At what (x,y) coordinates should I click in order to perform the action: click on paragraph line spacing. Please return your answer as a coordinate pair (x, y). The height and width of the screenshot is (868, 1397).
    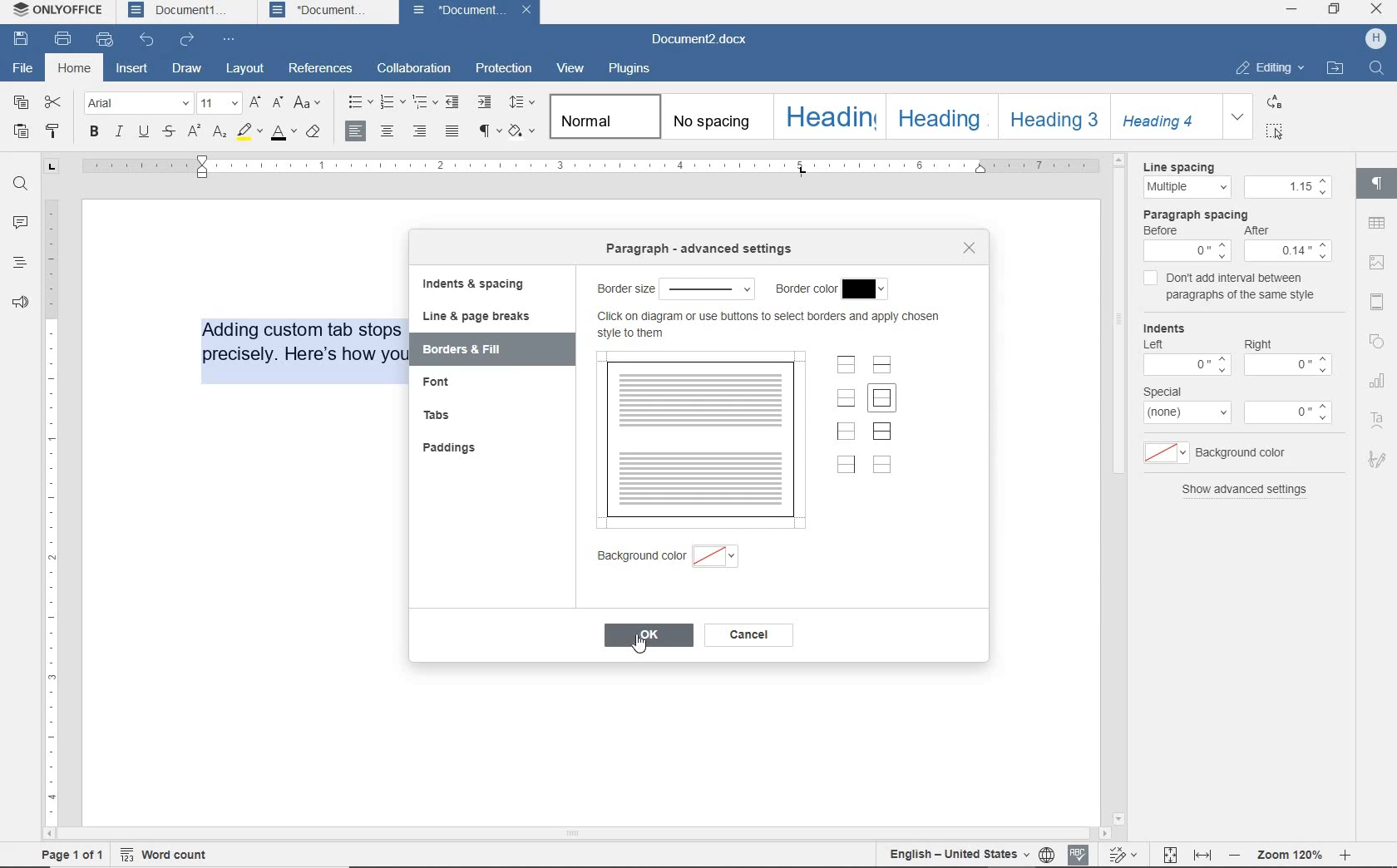
    Looking at the image, I should click on (522, 101).